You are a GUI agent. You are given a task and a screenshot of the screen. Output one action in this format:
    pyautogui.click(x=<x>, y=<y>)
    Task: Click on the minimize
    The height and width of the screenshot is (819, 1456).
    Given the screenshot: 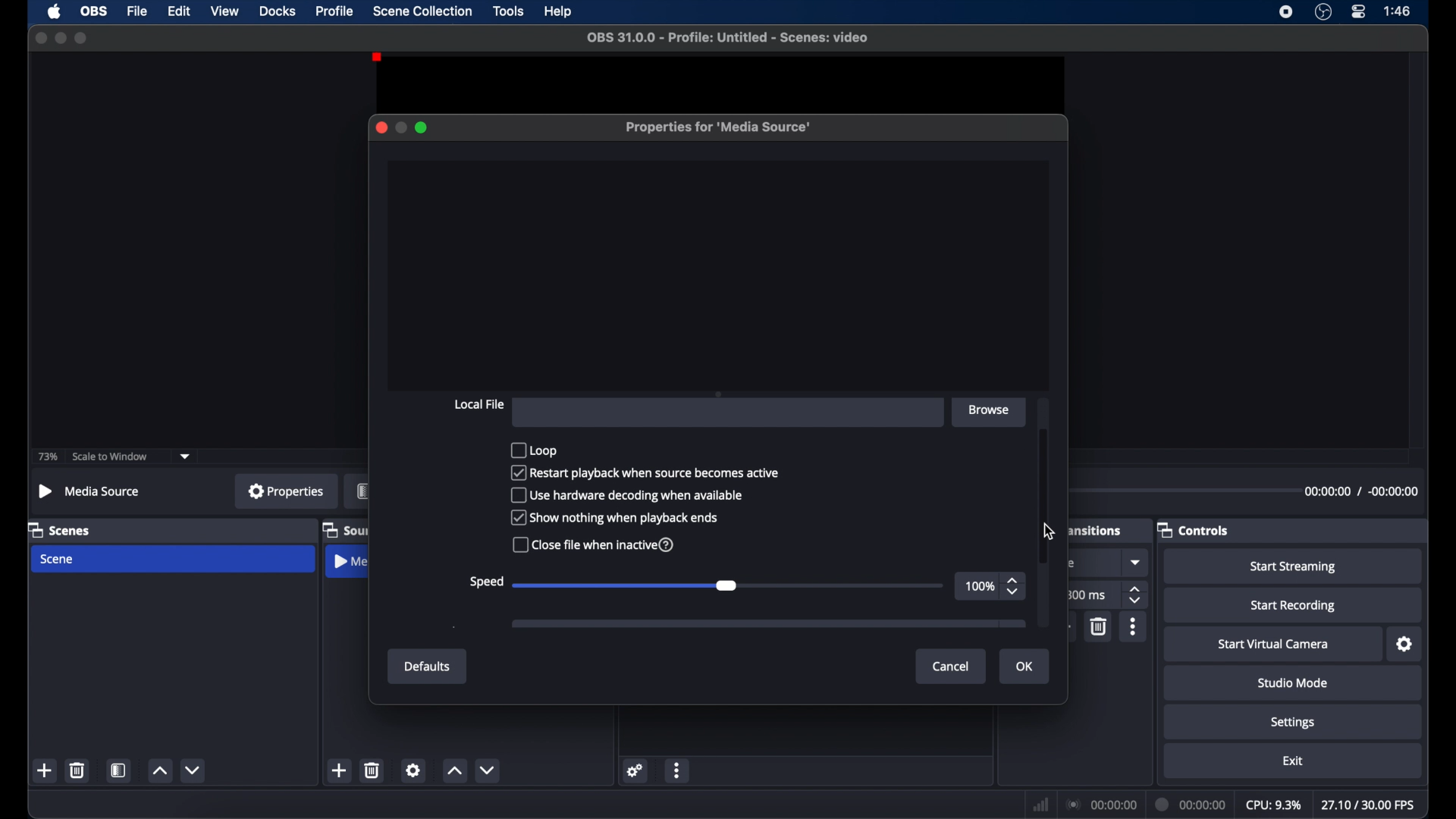 What is the action you would take?
    pyautogui.click(x=60, y=38)
    